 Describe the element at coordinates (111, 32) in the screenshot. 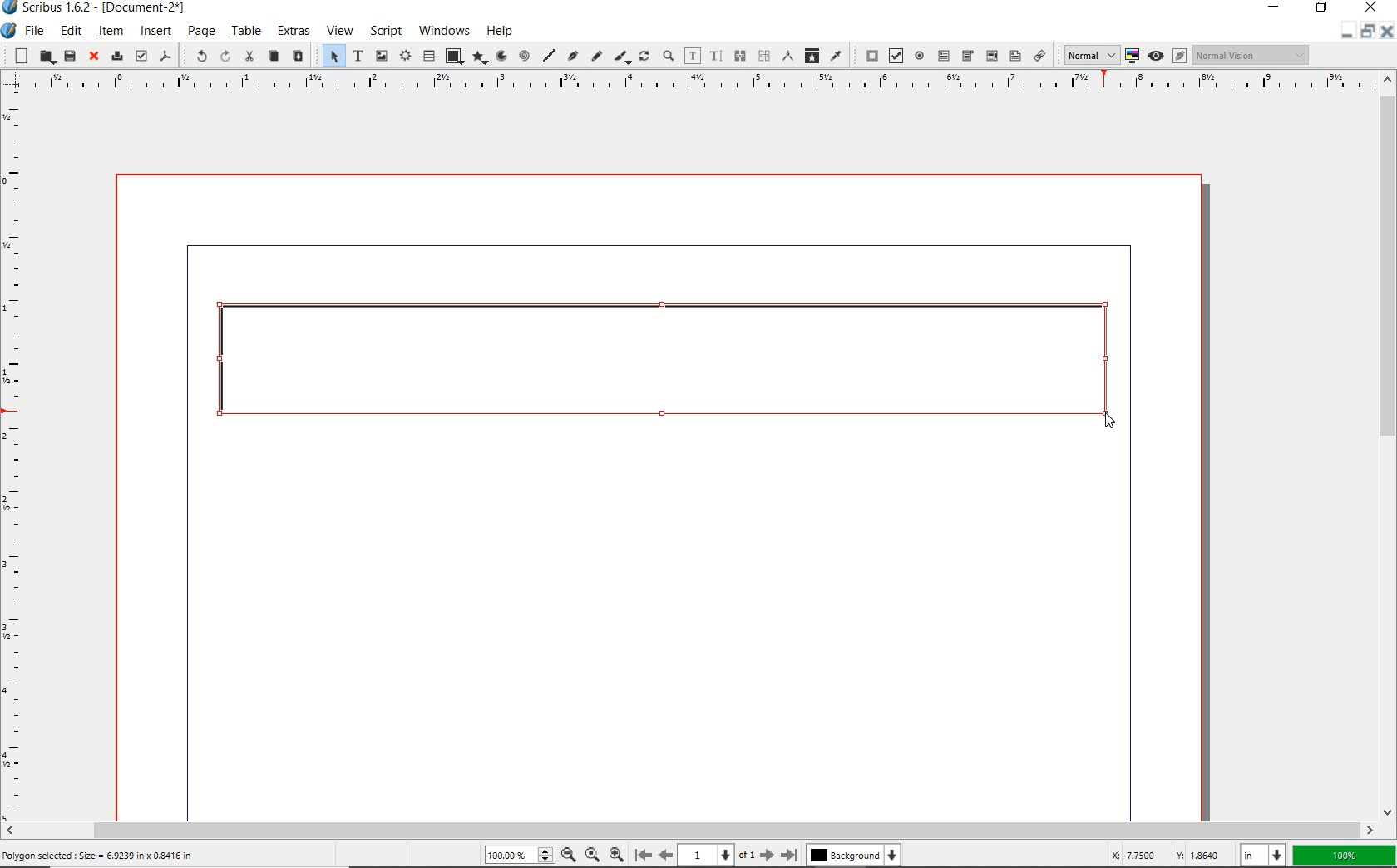

I see `item` at that location.